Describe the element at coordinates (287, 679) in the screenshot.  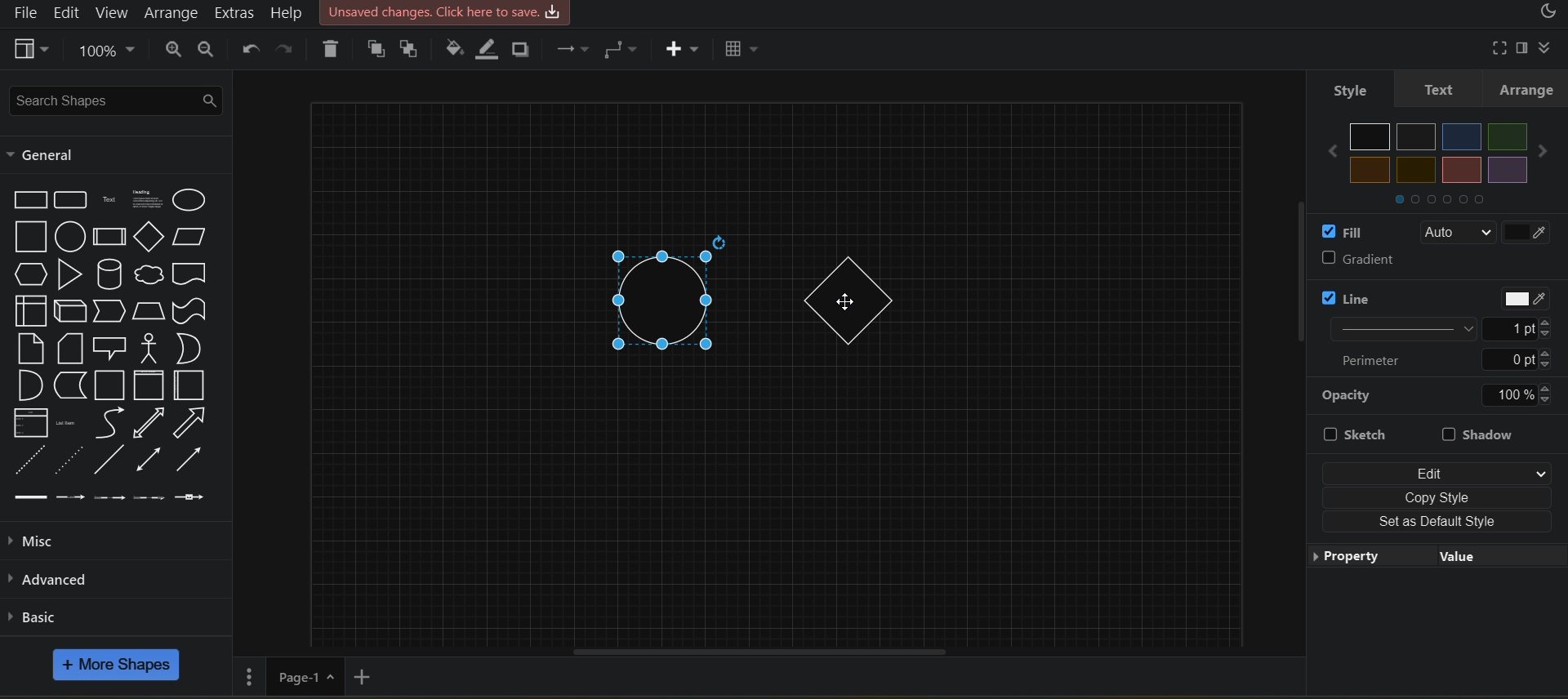
I see `page 1 ` at that location.